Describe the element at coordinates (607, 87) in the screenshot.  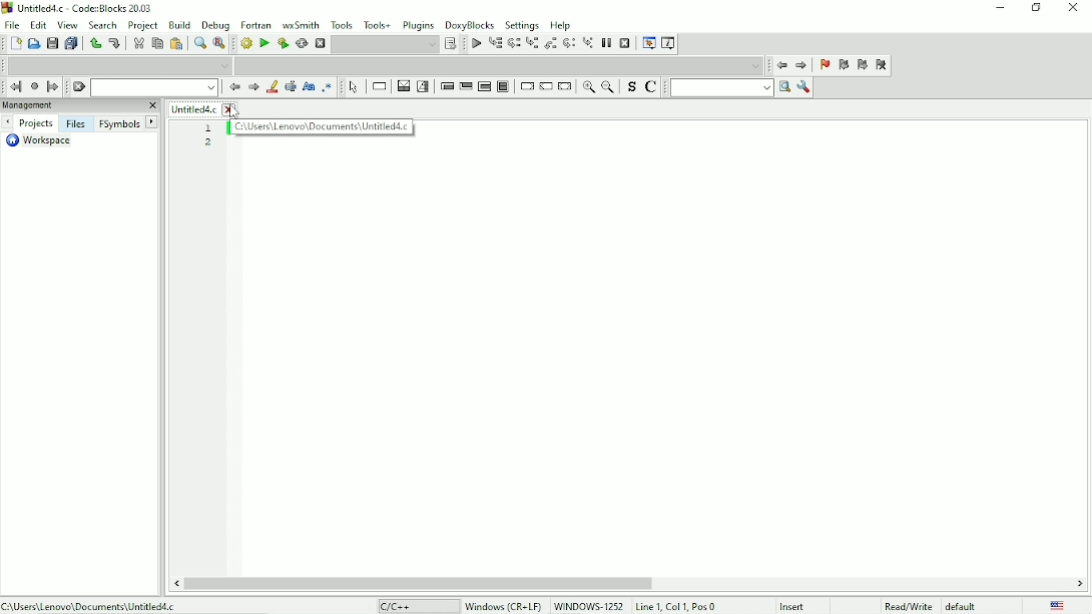
I see `Zoom out` at that location.